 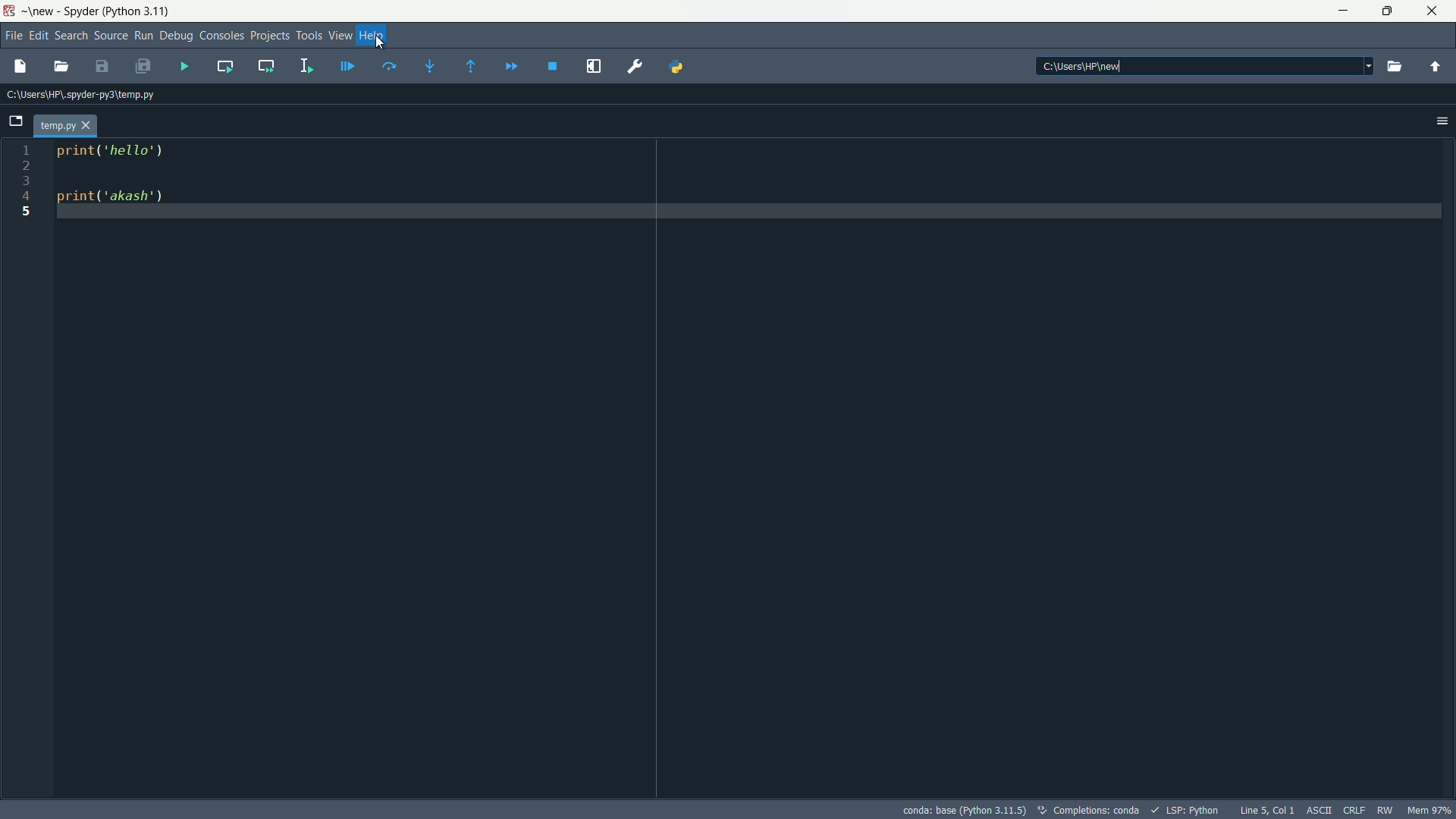 I want to click on open file, so click(x=62, y=66).